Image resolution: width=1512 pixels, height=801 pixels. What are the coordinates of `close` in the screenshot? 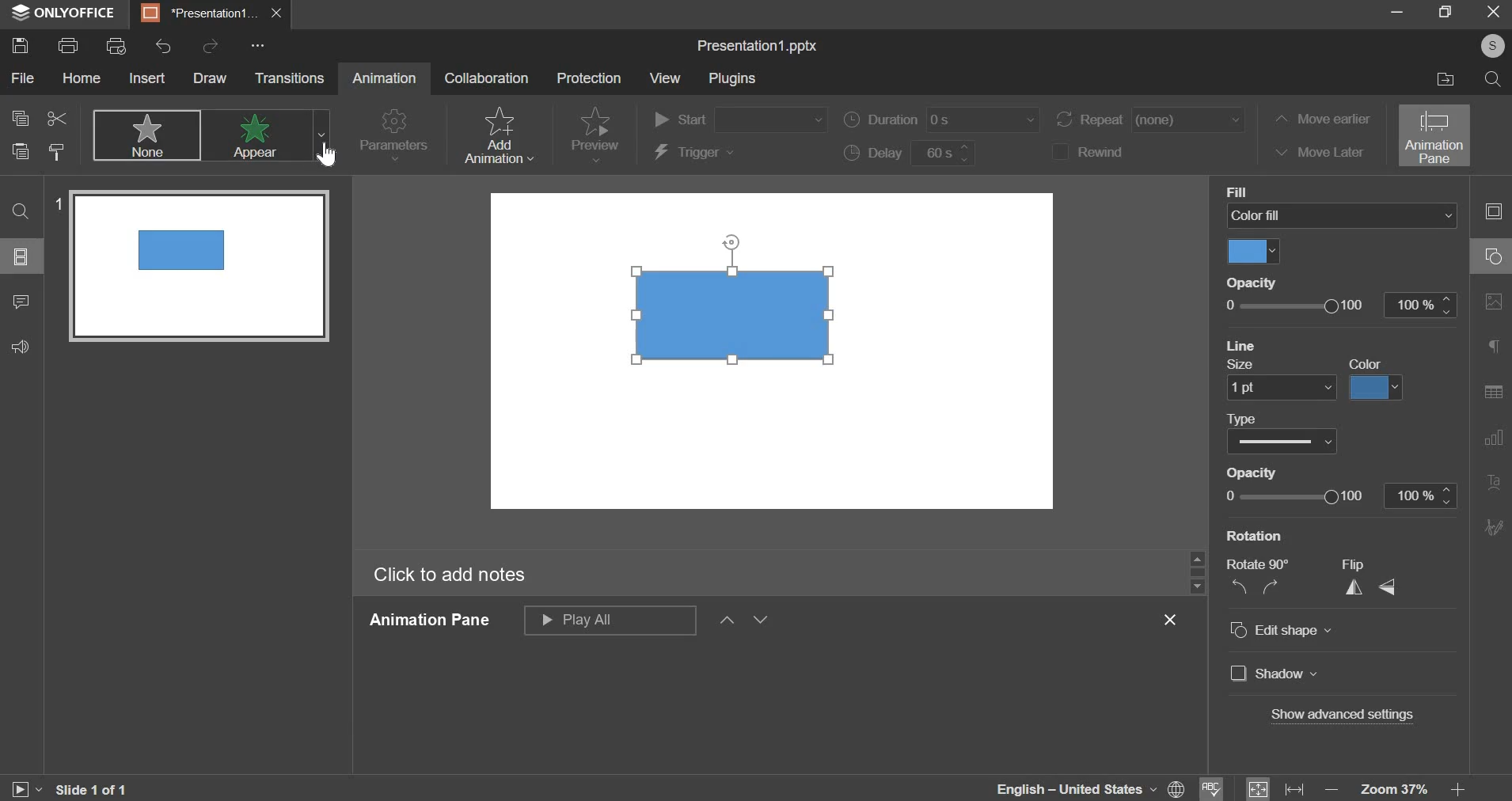 It's located at (1175, 621).